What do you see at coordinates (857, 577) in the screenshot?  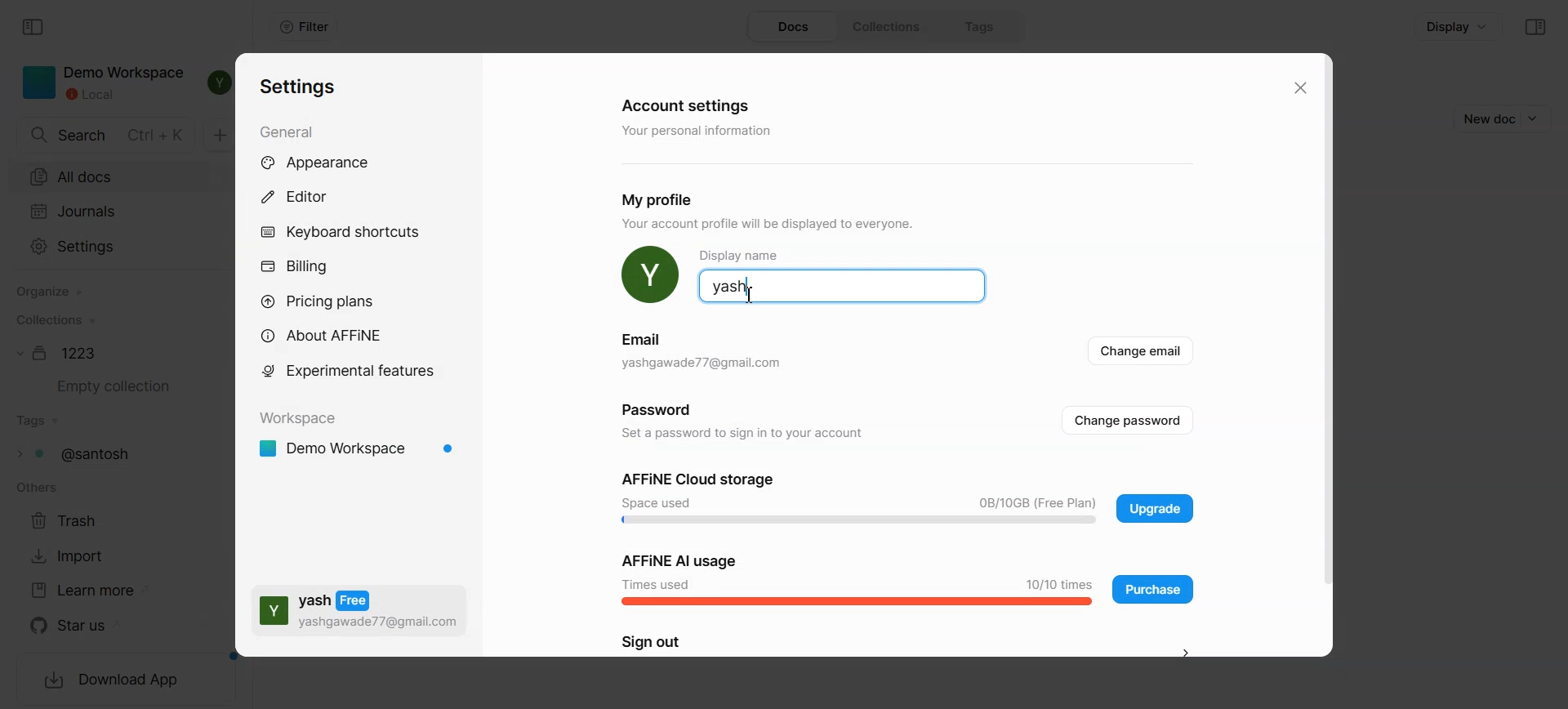 I see `AI Usage Bar` at bounding box center [857, 577].